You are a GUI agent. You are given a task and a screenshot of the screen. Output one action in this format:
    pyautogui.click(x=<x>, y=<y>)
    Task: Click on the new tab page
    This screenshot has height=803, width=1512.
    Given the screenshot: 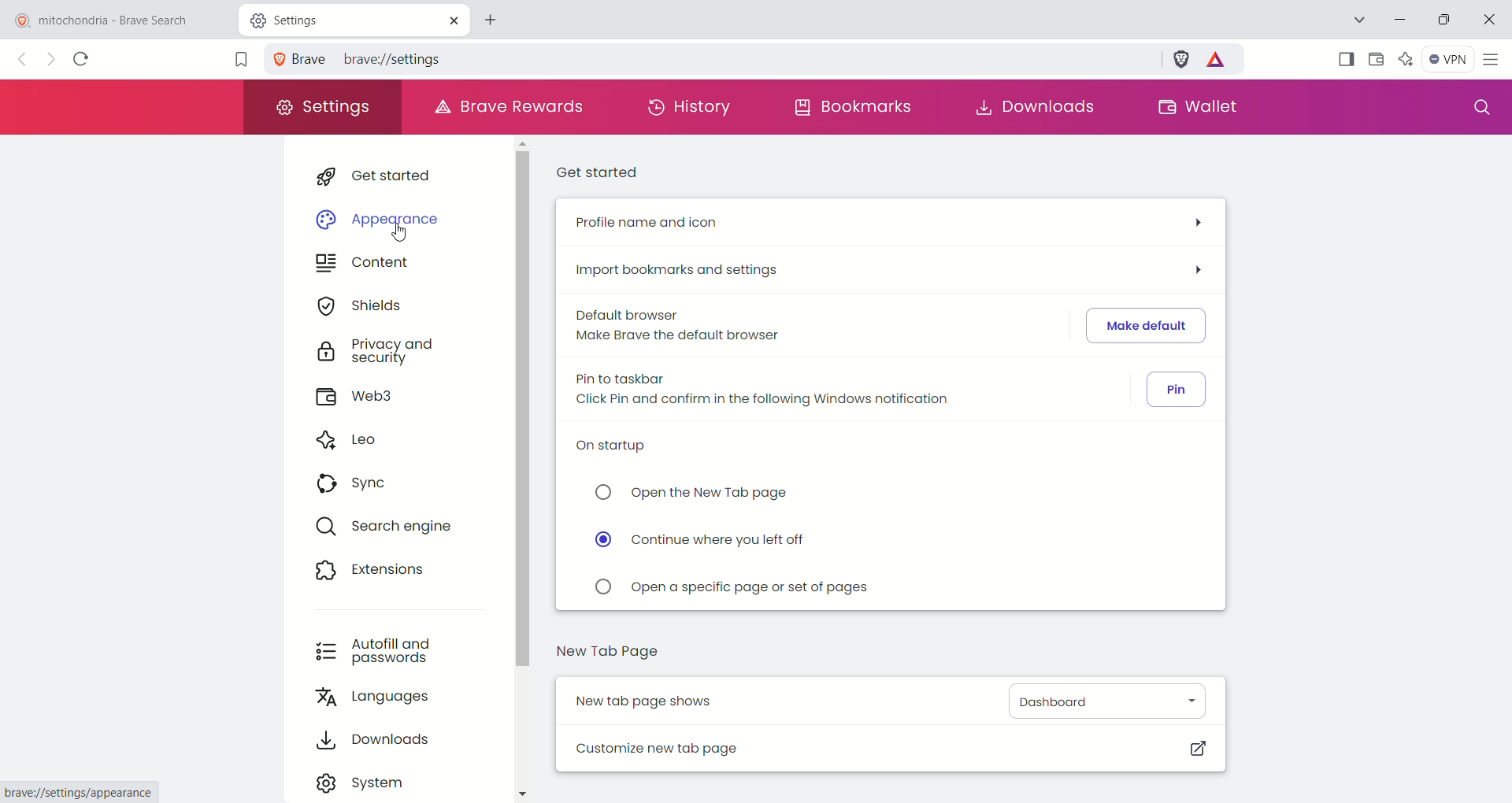 What is the action you would take?
    pyautogui.click(x=610, y=656)
    